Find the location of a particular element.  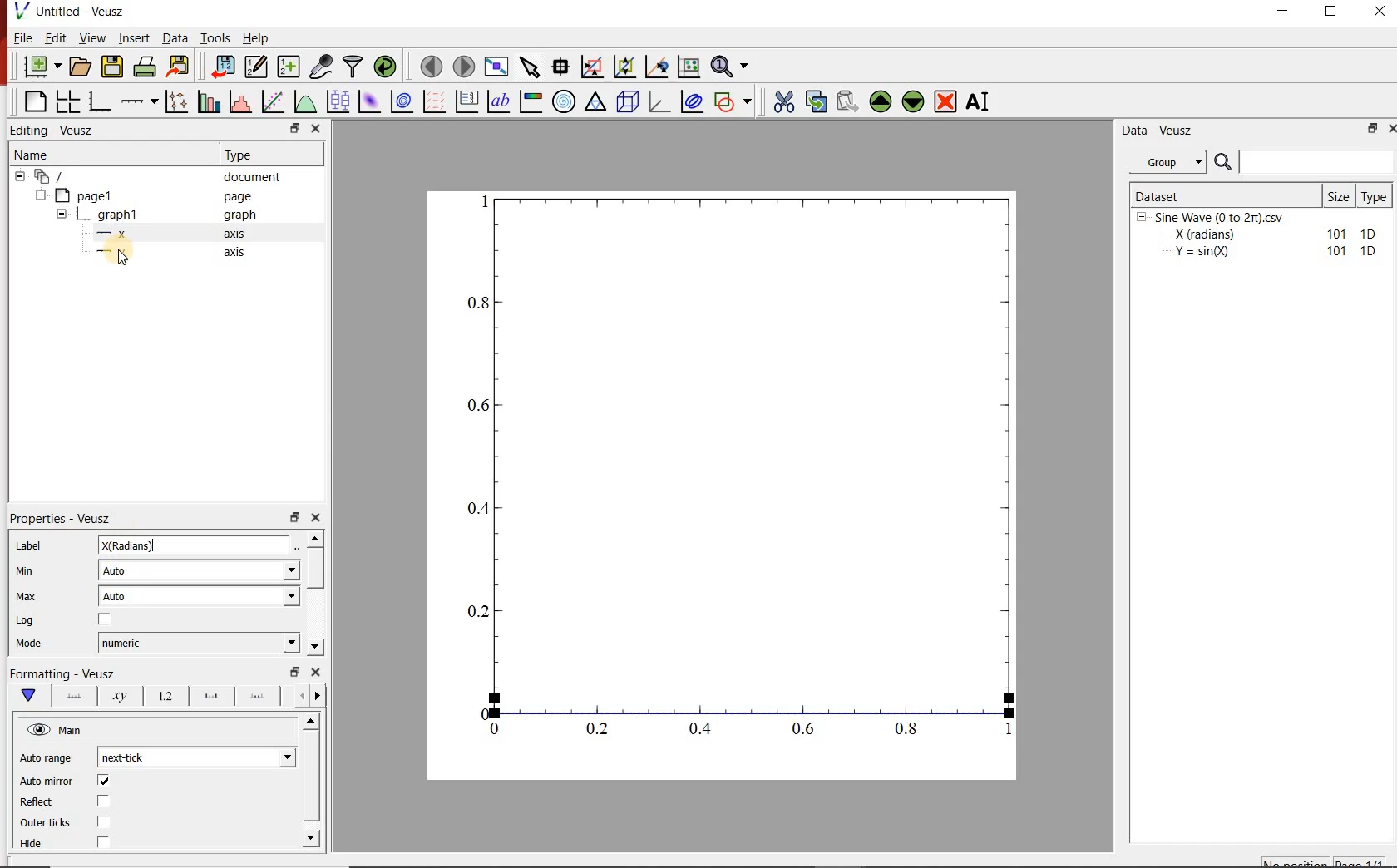

Checkbox is located at coordinates (106, 620).